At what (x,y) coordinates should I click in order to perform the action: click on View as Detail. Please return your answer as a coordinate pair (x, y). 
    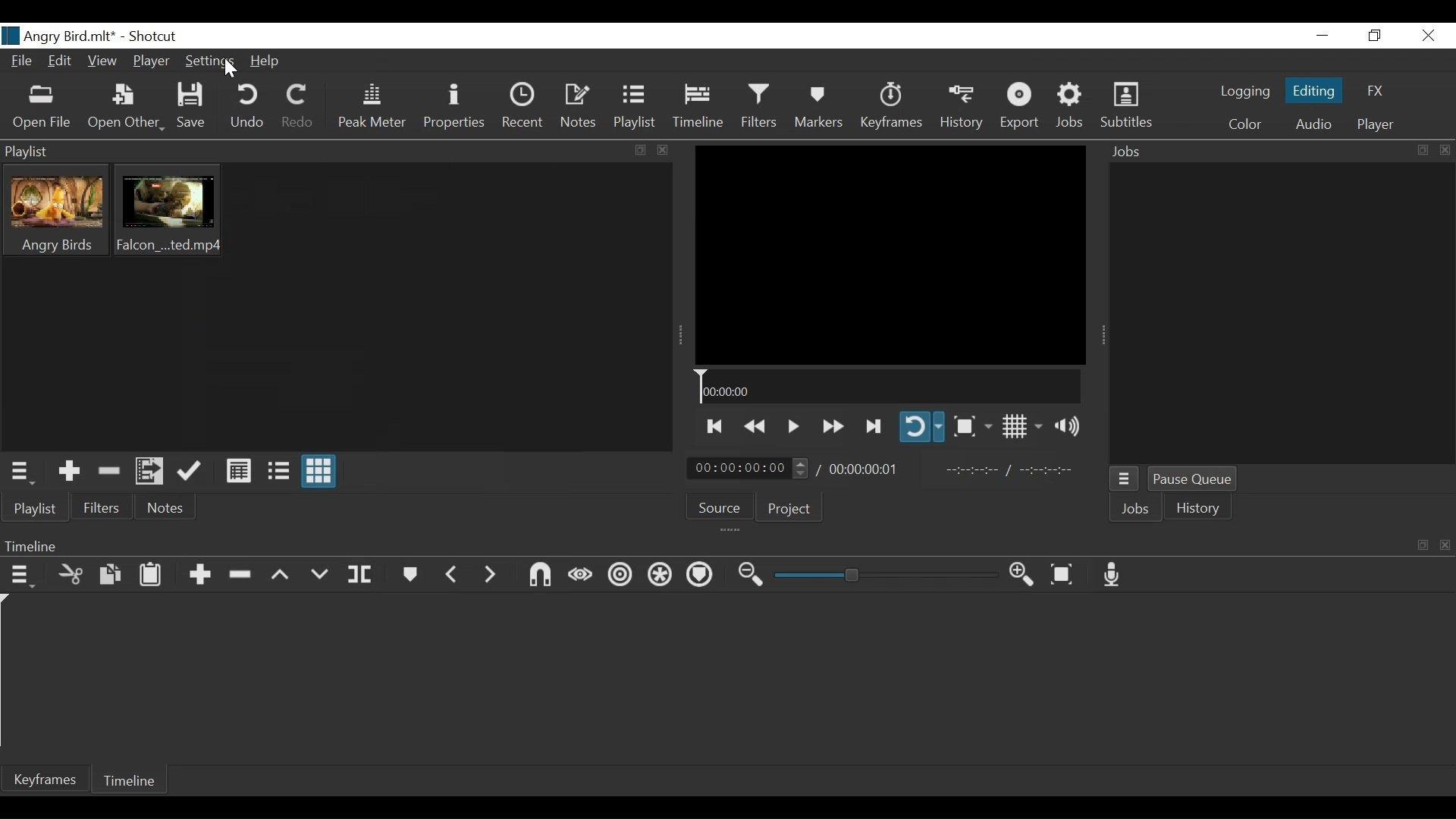
    Looking at the image, I should click on (240, 471).